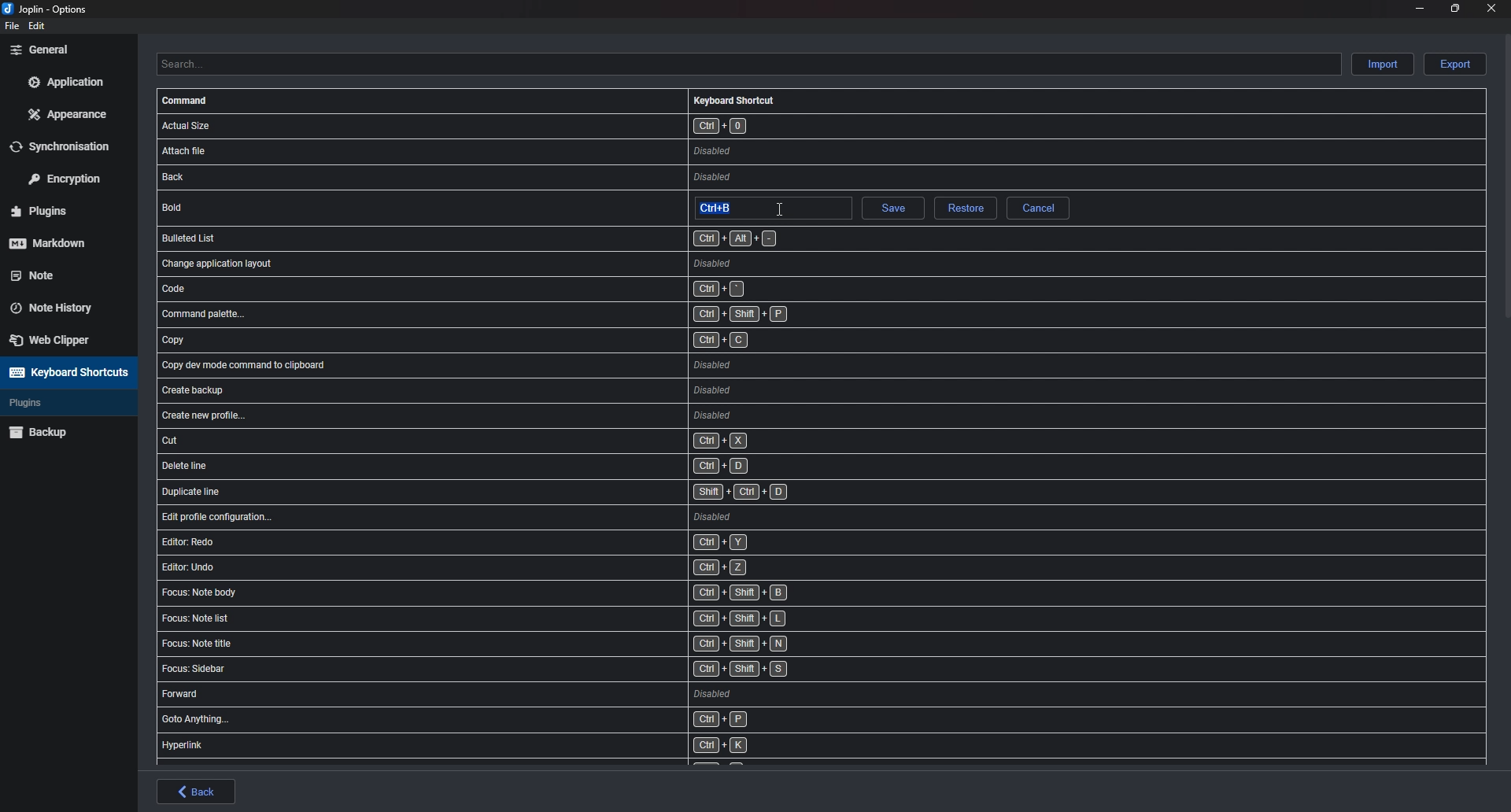  What do you see at coordinates (38, 26) in the screenshot?
I see `edit` at bounding box center [38, 26].